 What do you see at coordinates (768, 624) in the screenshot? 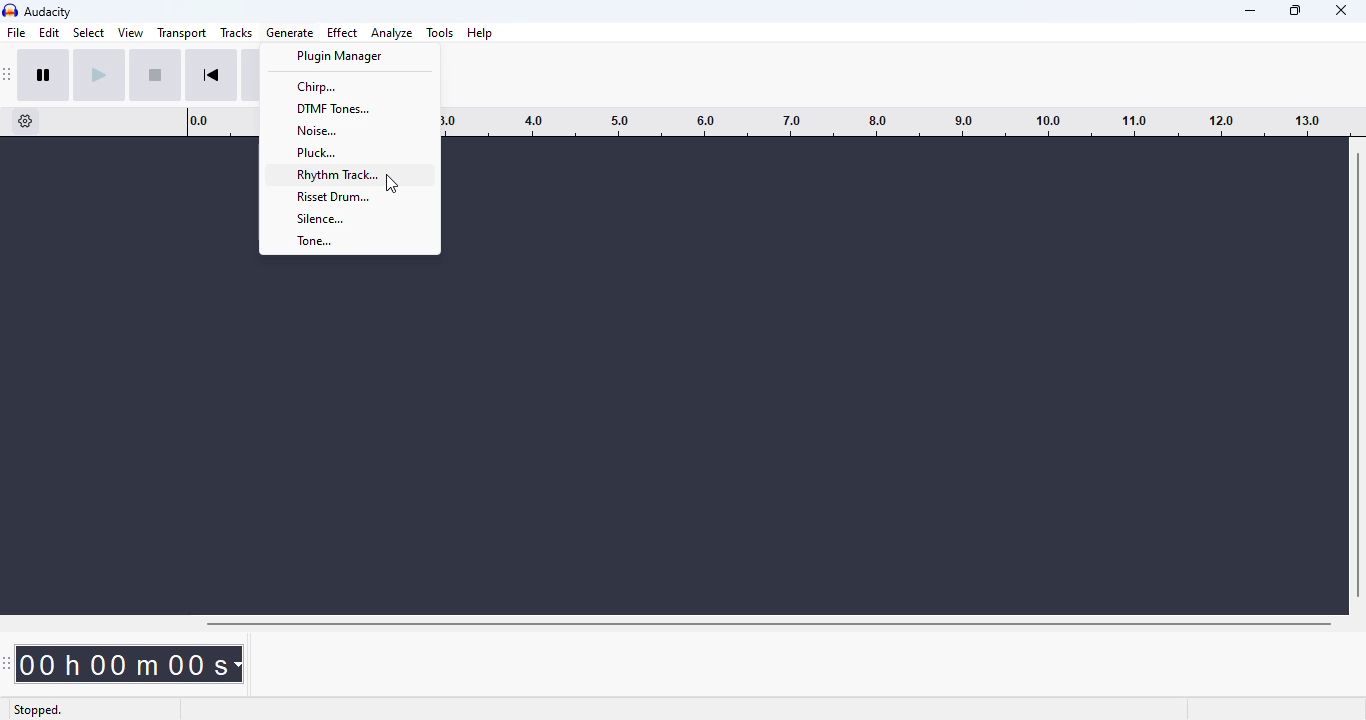
I see `horizontal scroll bar` at bounding box center [768, 624].